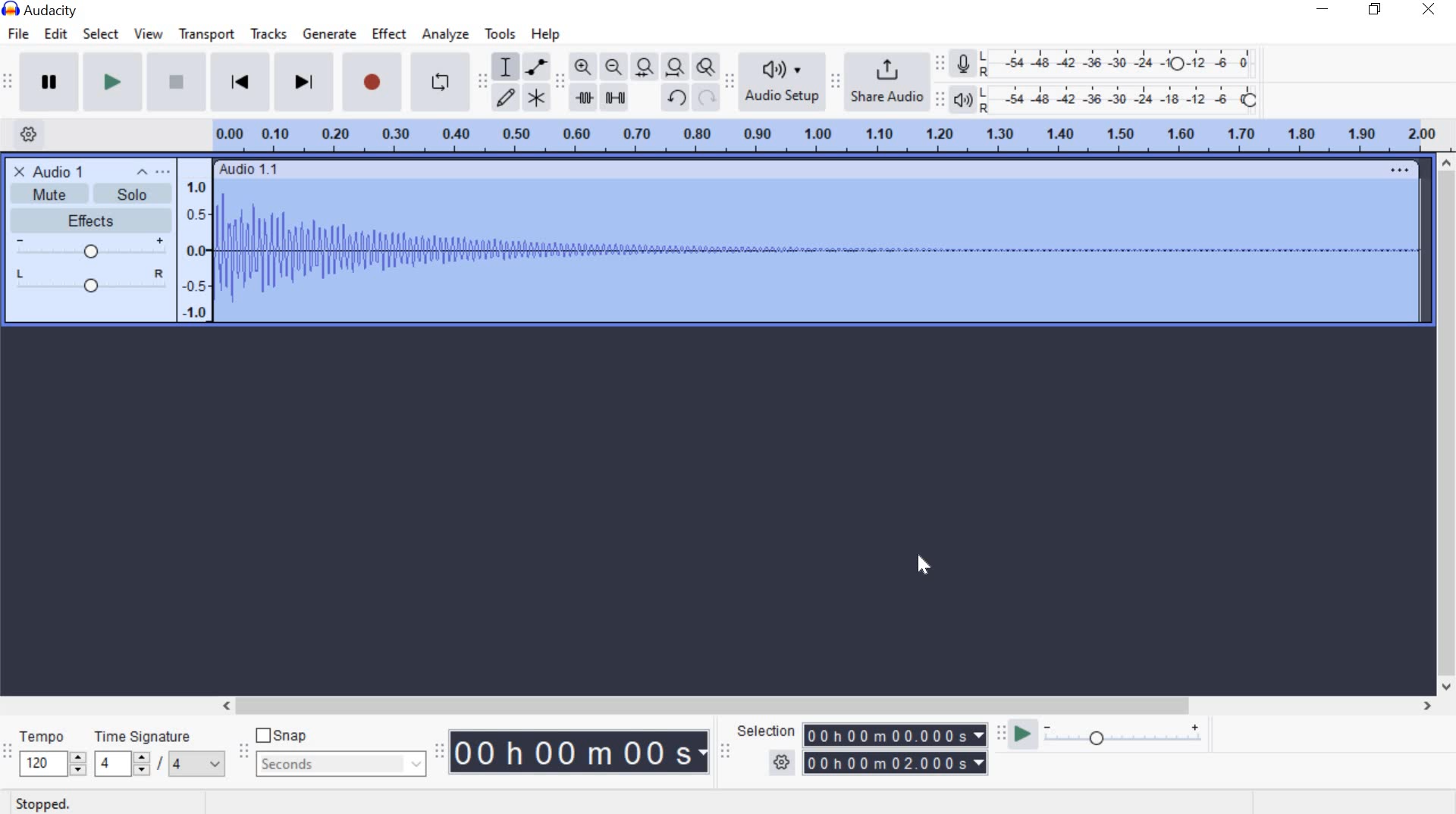  I want to click on analyze, so click(447, 36).